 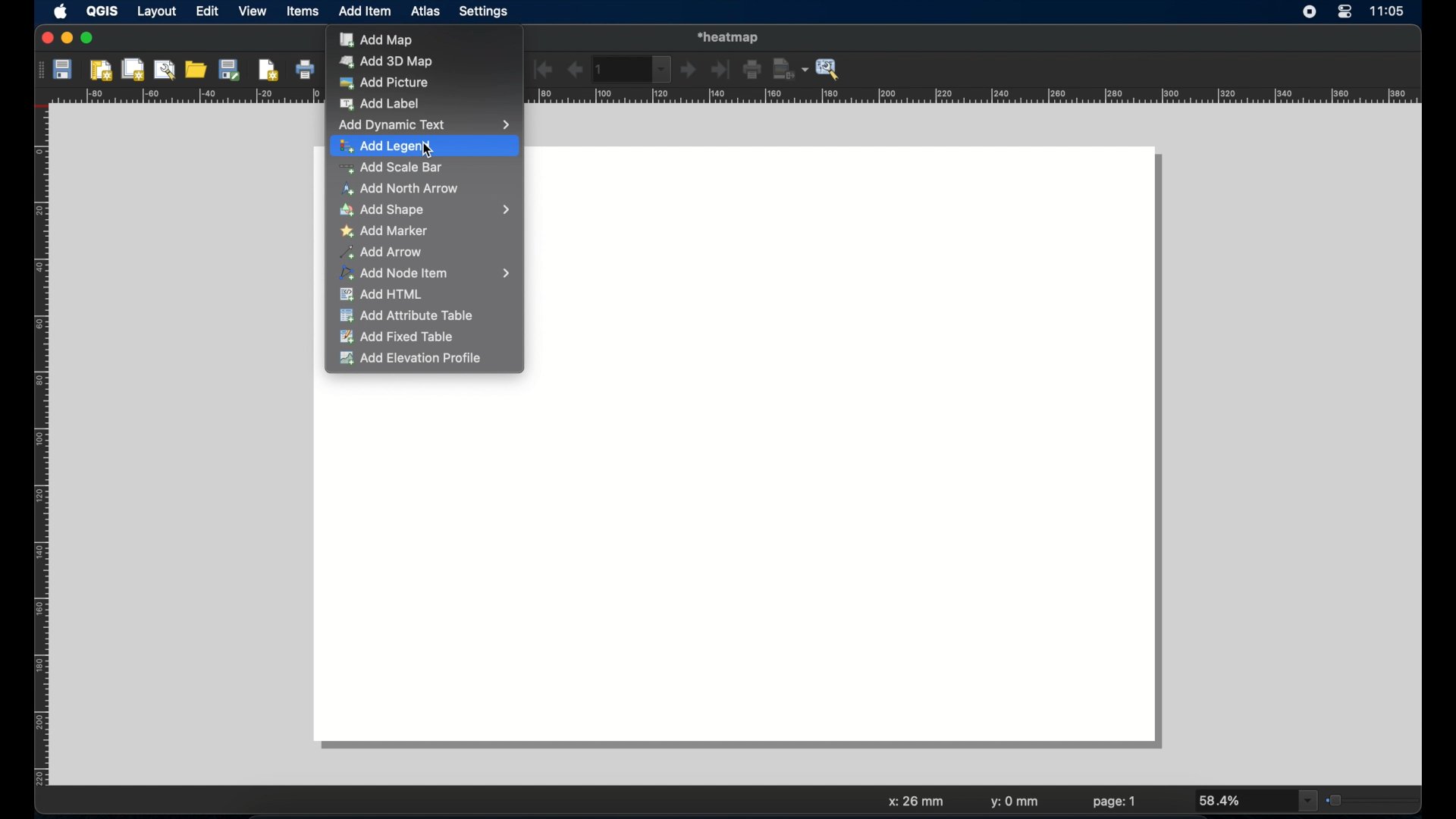 What do you see at coordinates (425, 146) in the screenshot?
I see `add legend highlighted` at bounding box center [425, 146].